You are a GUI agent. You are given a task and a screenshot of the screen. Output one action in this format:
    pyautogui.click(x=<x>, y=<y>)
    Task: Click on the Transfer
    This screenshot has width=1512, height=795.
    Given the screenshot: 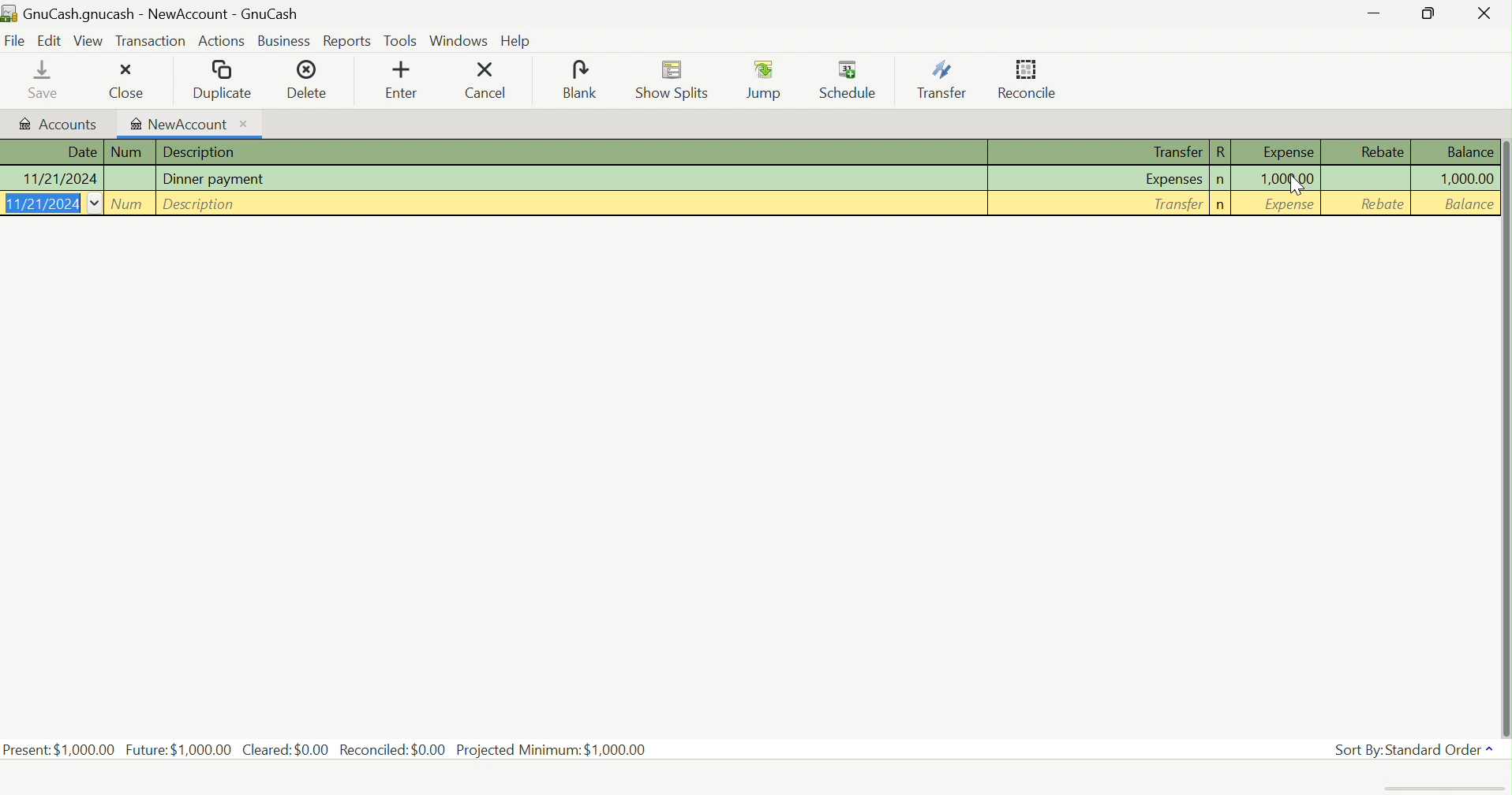 What is the action you would take?
    pyautogui.click(x=1174, y=151)
    